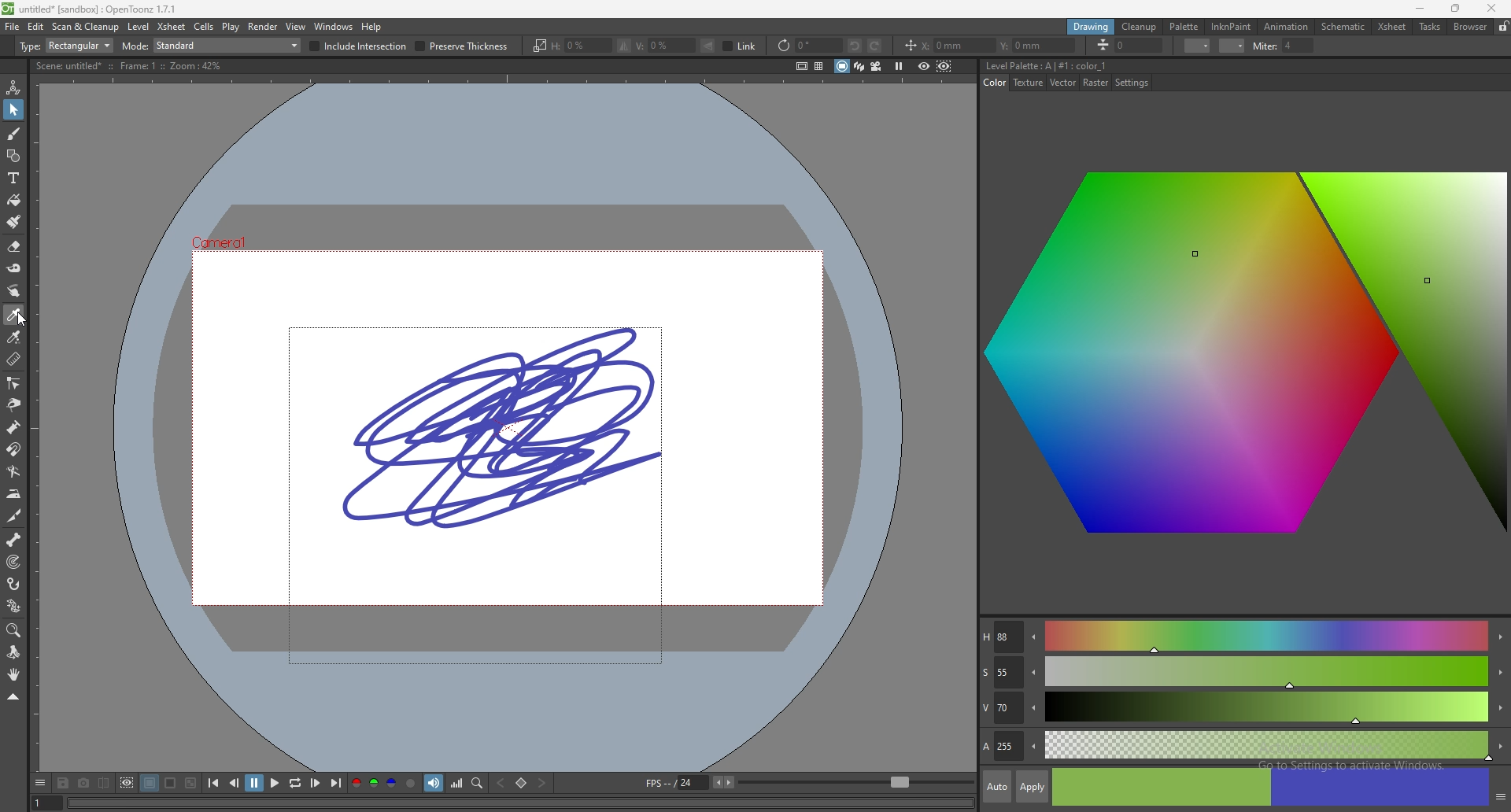 The width and height of the screenshot is (1511, 812). Describe the element at coordinates (1456, 9) in the screenshot. I see `resize` at that location.